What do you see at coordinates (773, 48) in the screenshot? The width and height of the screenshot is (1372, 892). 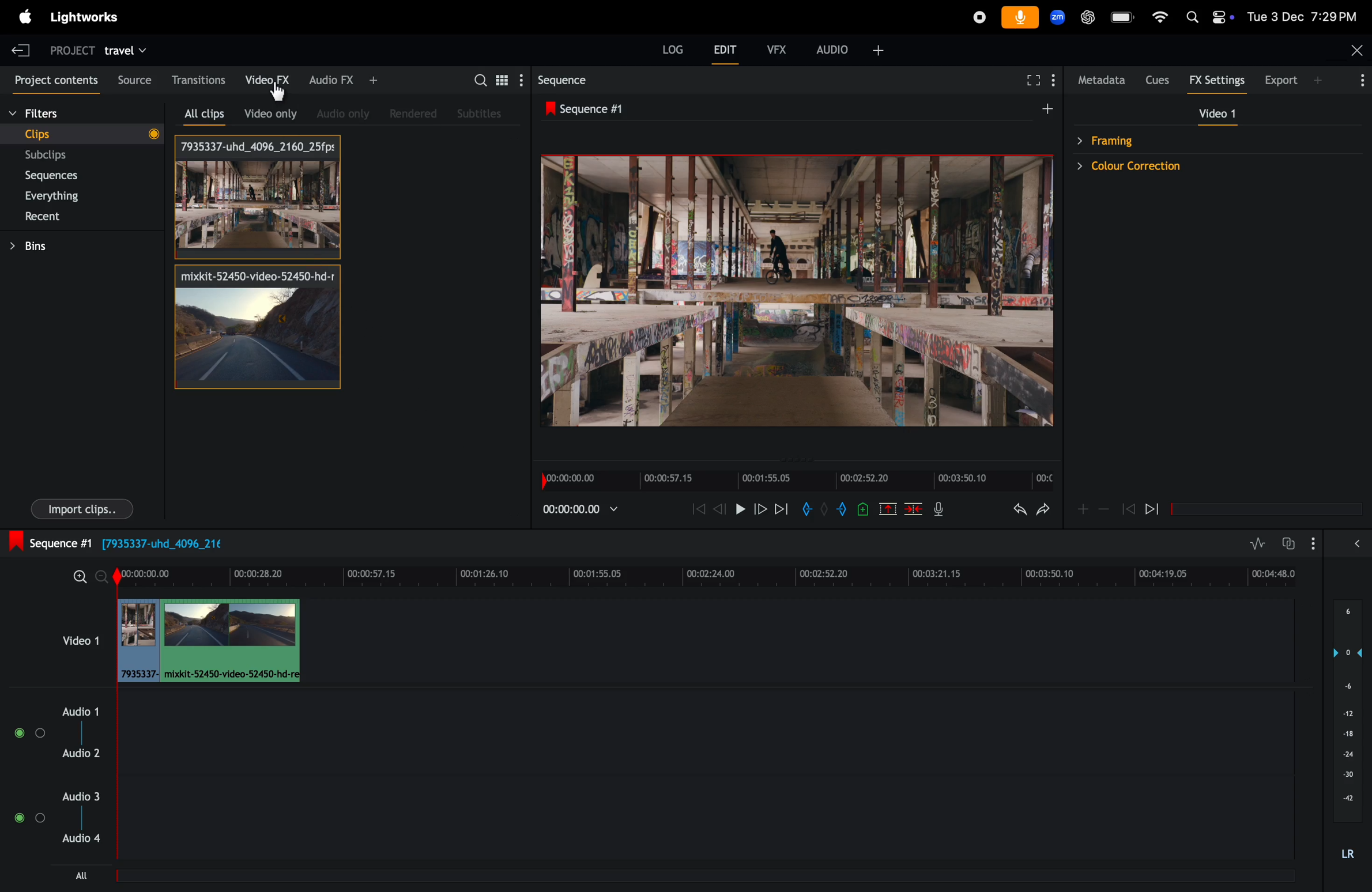 I see `Vfx` at bounding box center [773, 48].